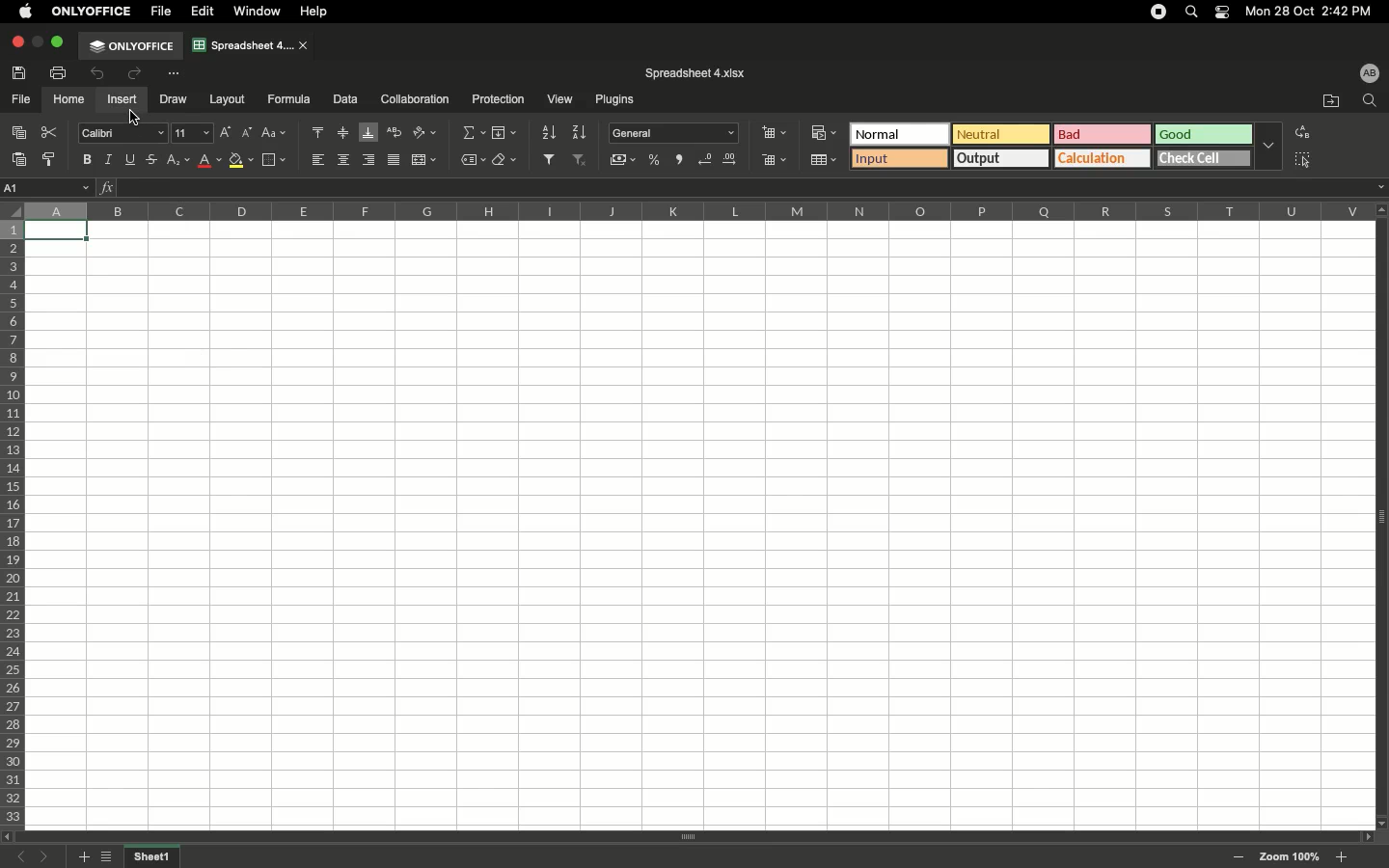 This screenshot has width=1389, height=868. Describe the element at coordinates (14, 524) in the screenshot. I see `Row` at that location.